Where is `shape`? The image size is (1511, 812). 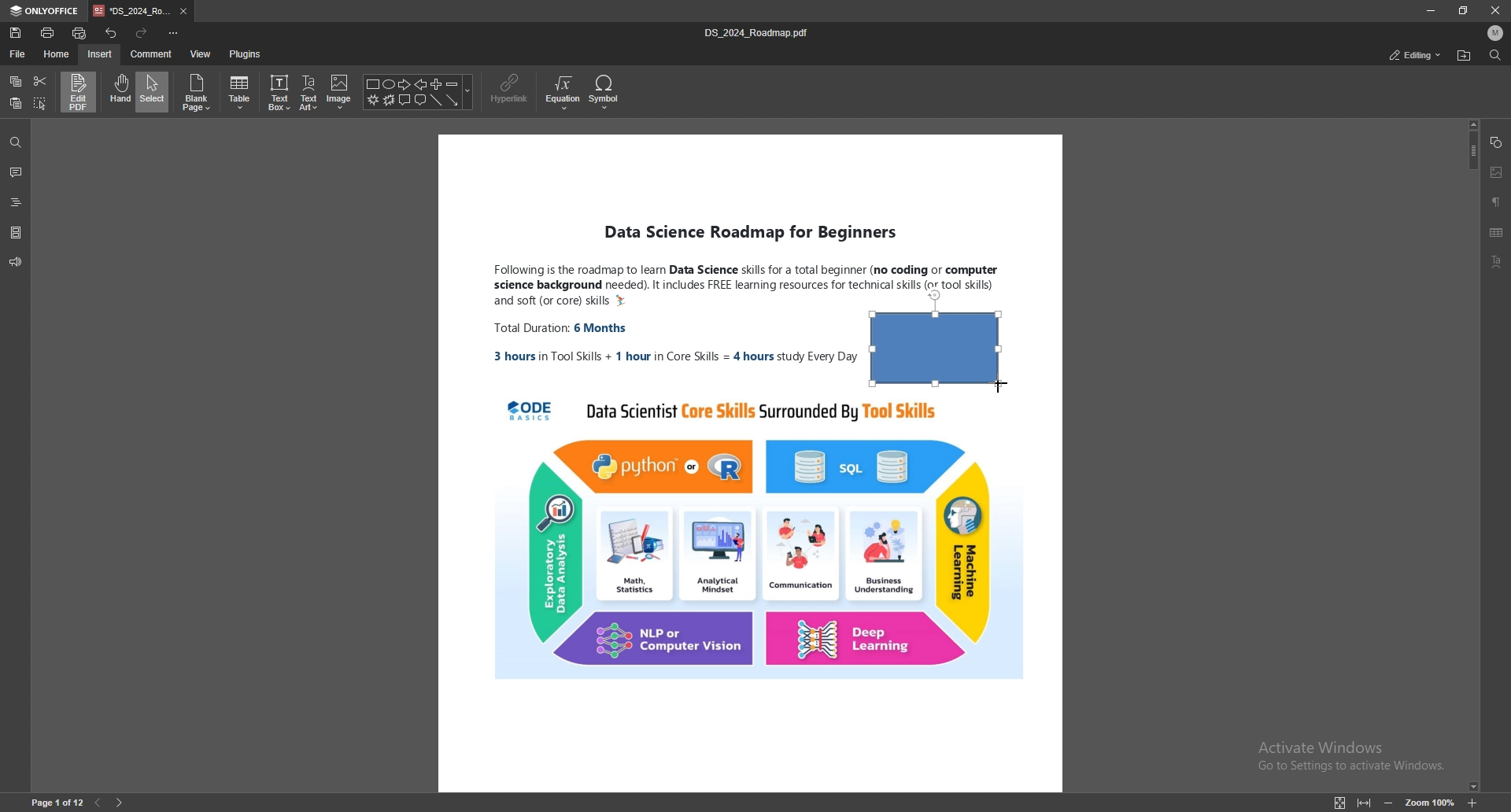 shape is located at coordinates (1498, 143).